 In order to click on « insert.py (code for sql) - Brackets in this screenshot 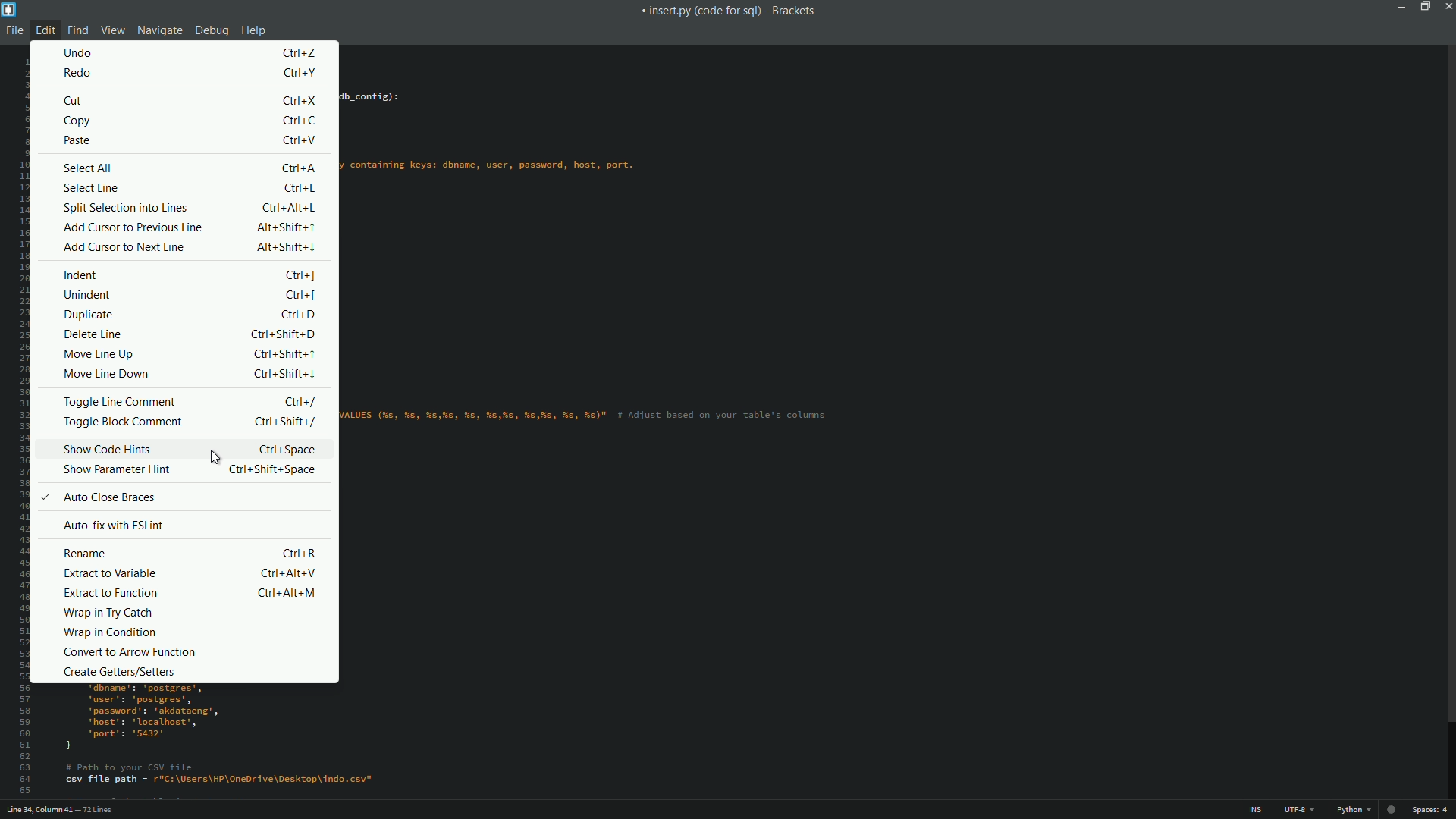, I will do `click(726, 14)`.